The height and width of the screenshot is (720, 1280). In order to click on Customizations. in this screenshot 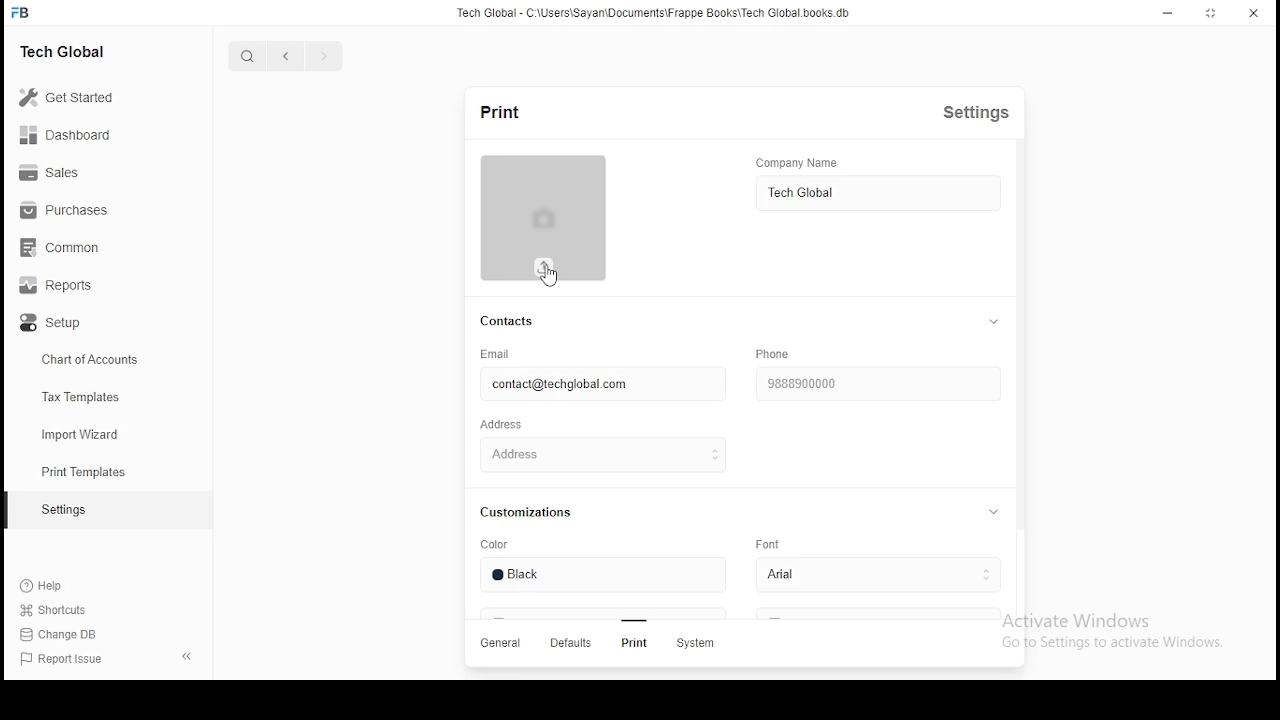, I will do `click(536, 515)`.